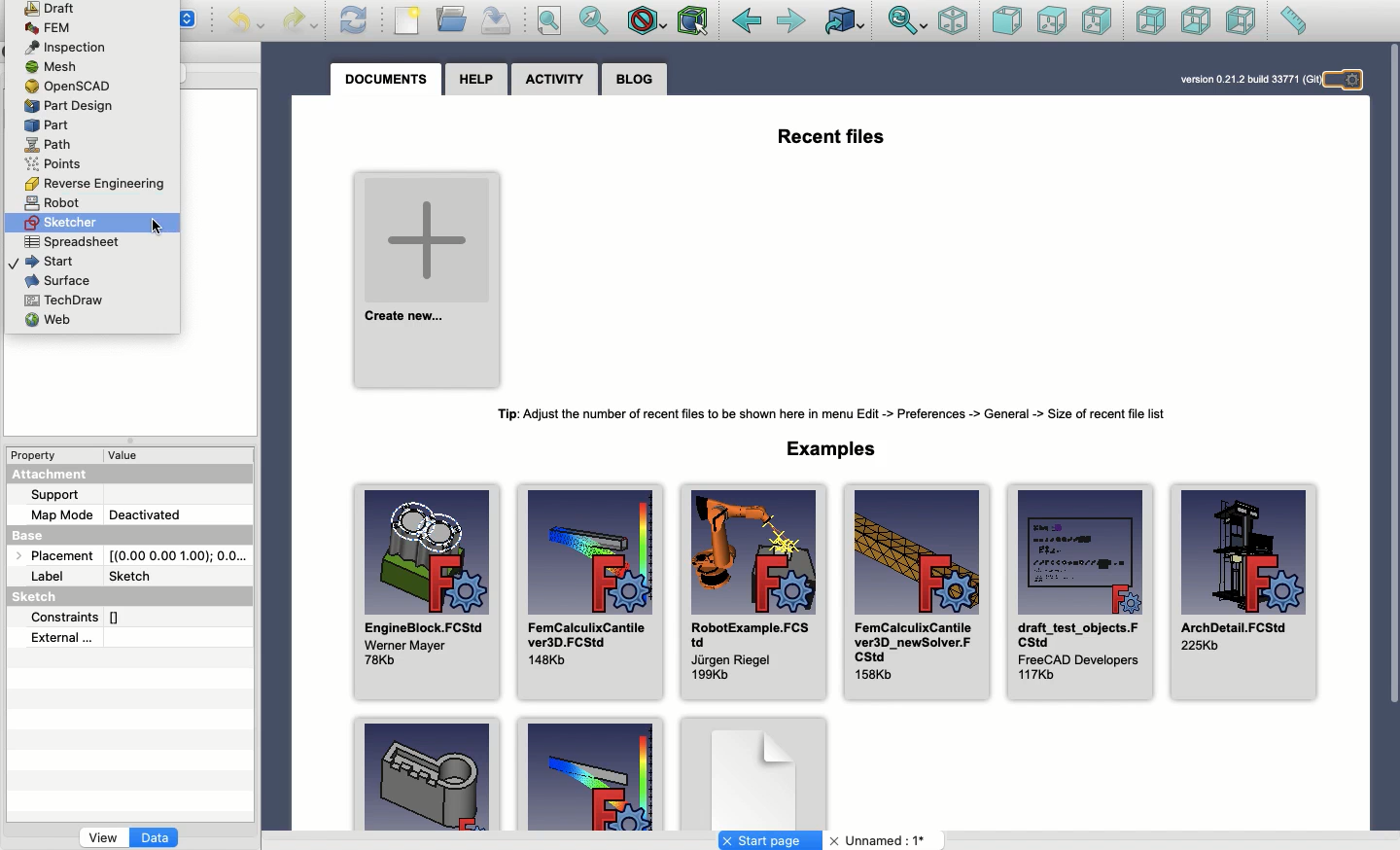  I want to click on Top, so click(1052, 21).